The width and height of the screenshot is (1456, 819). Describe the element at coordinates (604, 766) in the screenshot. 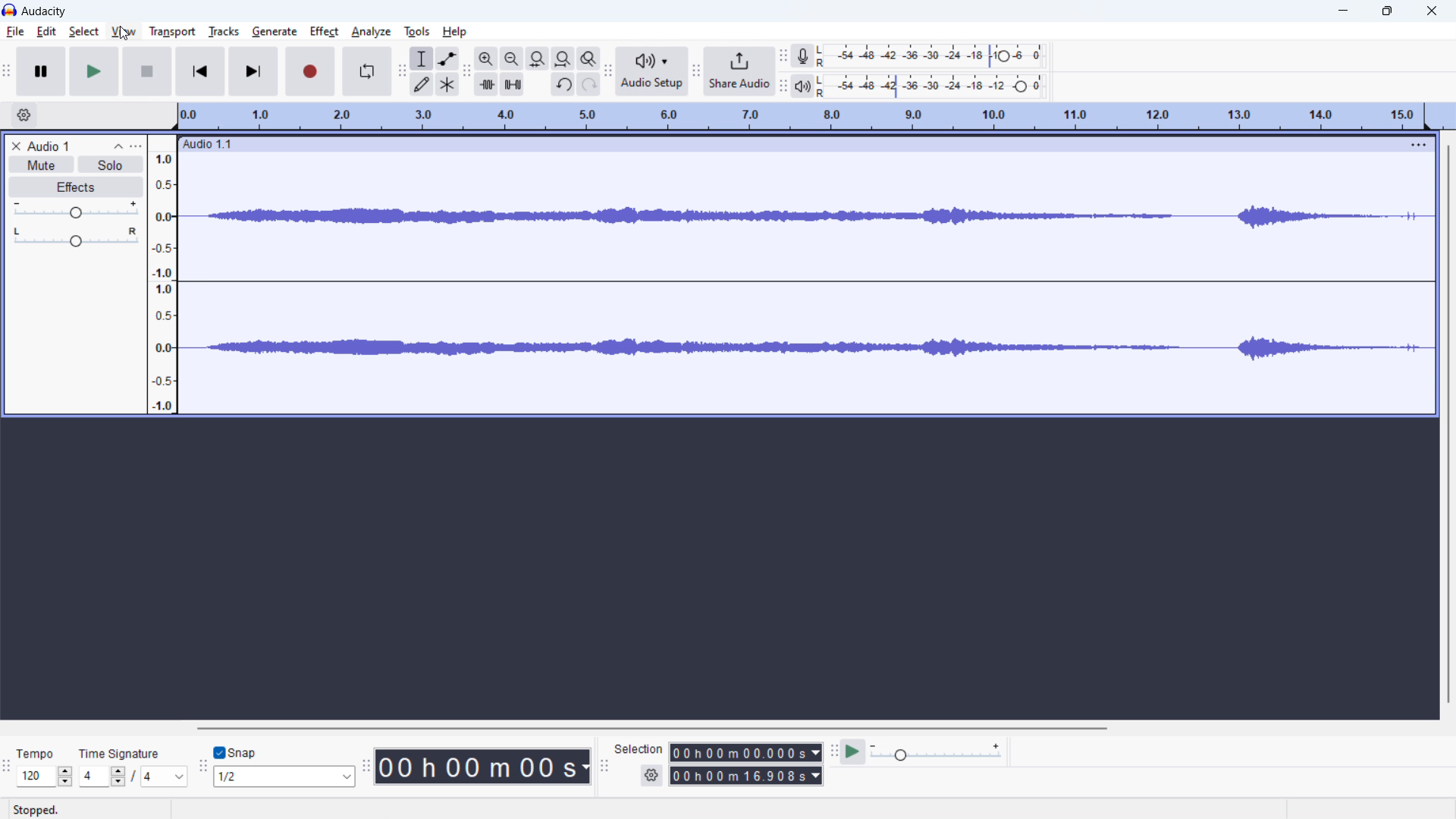

I see `selection toolbar` at that location.